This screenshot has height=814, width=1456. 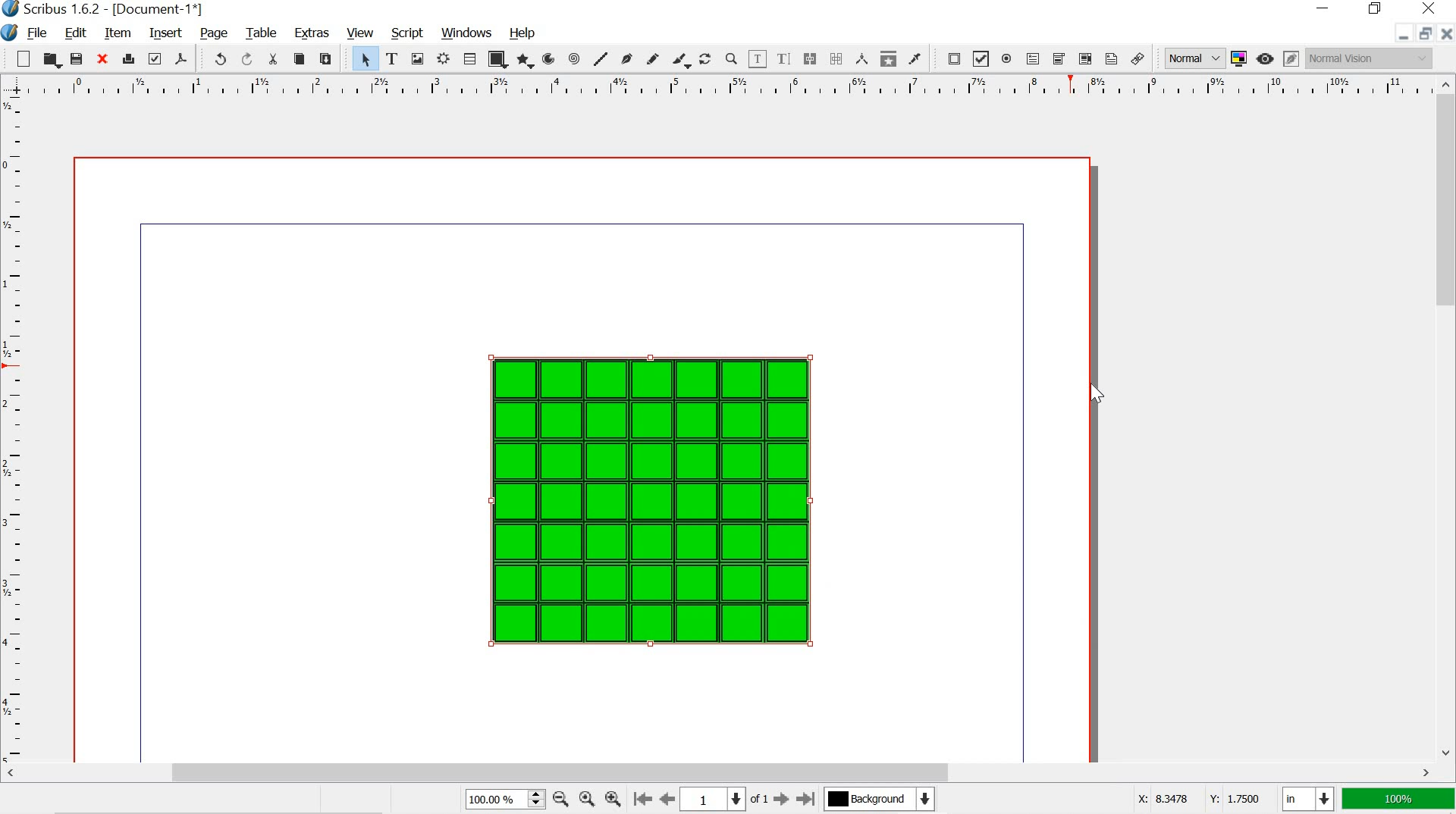 What do you see at coordinates (51, 60) in the screenshot?
I see `open` at bounding box center [51, 60].